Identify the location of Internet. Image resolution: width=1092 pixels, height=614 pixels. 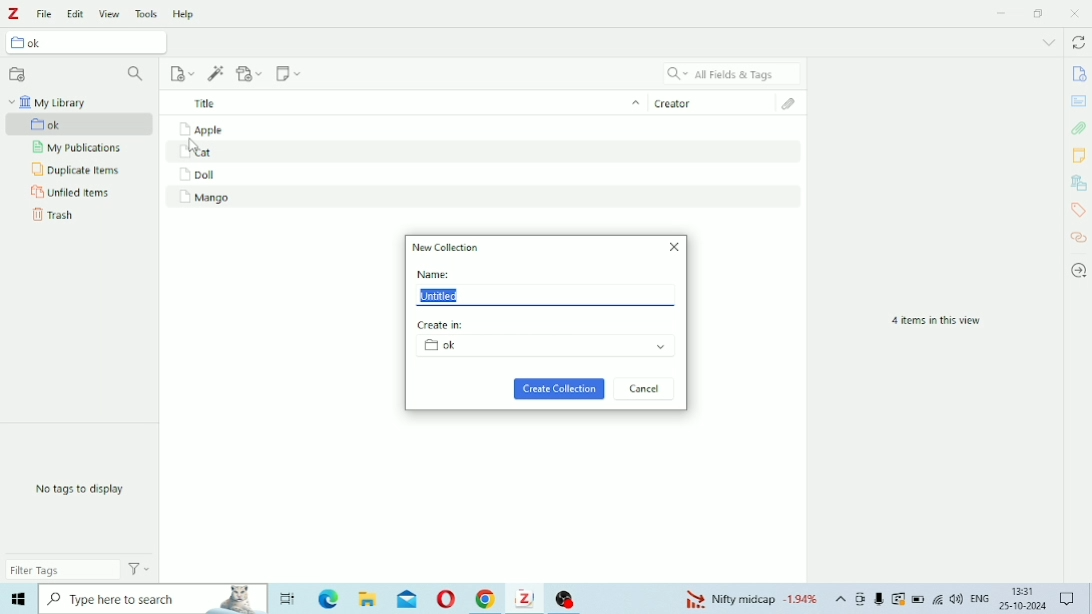
(938, 599).